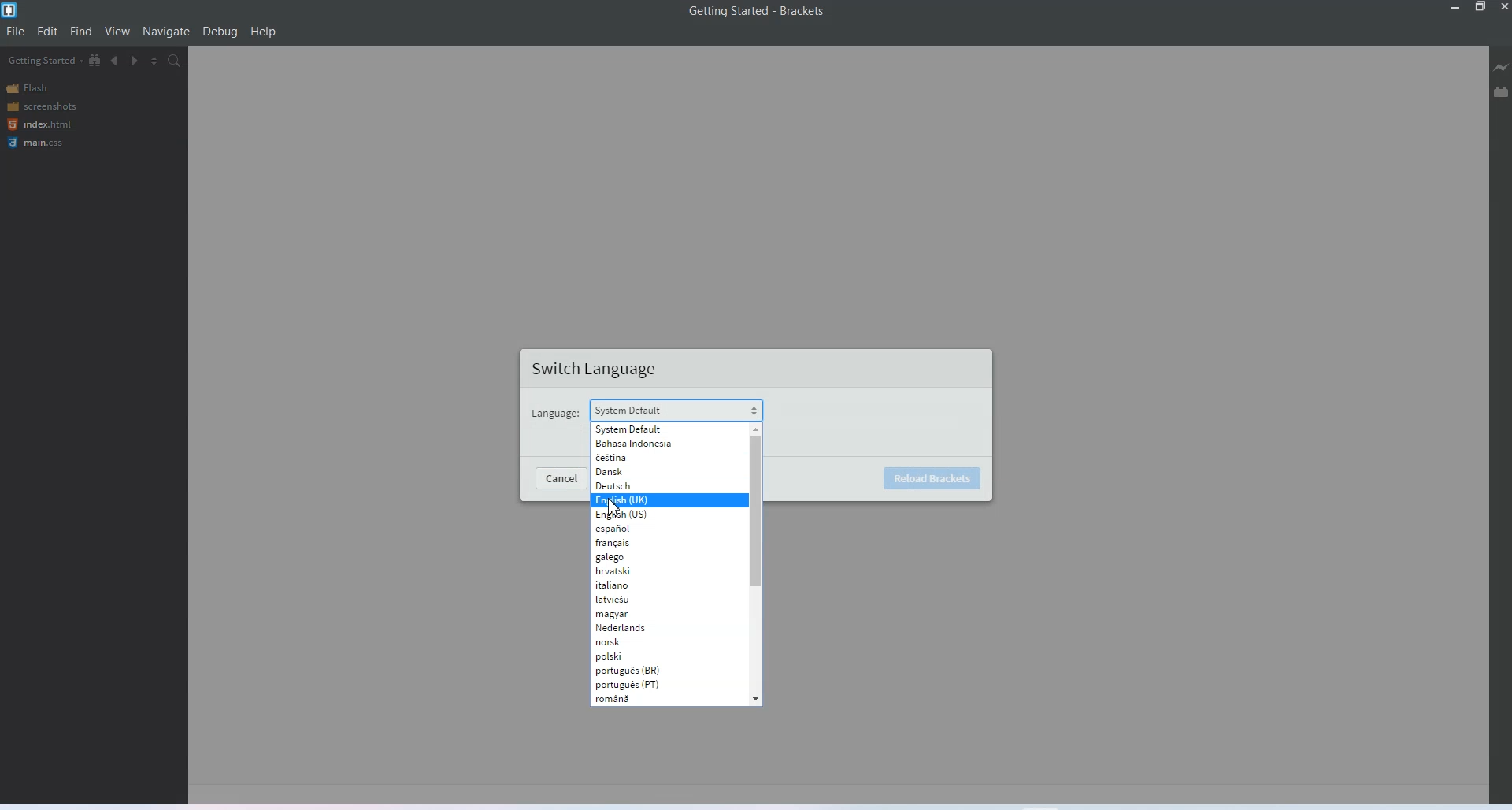 Image resolution: width=1512 pixels, height=810 pixels. Describe the element at coordinates (654, 585) in the screenshot. I see `Italiano` at that location.